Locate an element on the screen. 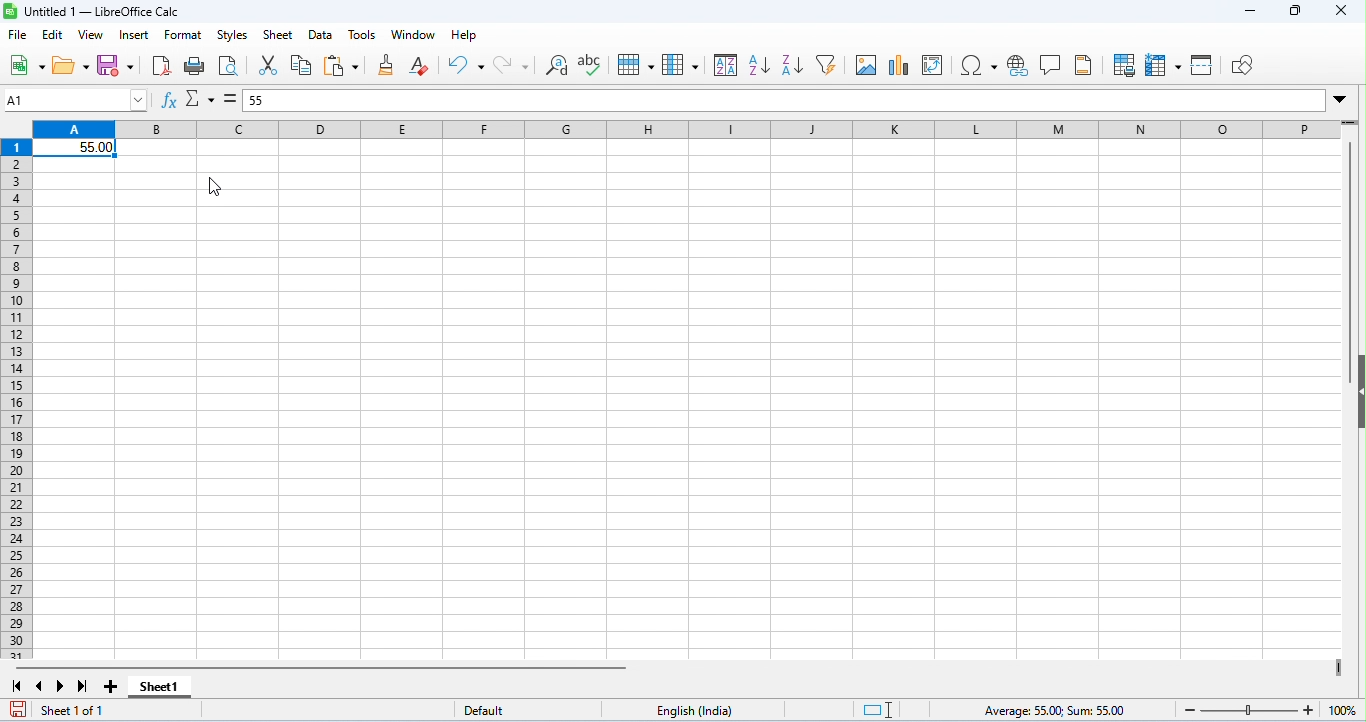 The image size is (1366, 722). file is located at coordinates (20, 35).